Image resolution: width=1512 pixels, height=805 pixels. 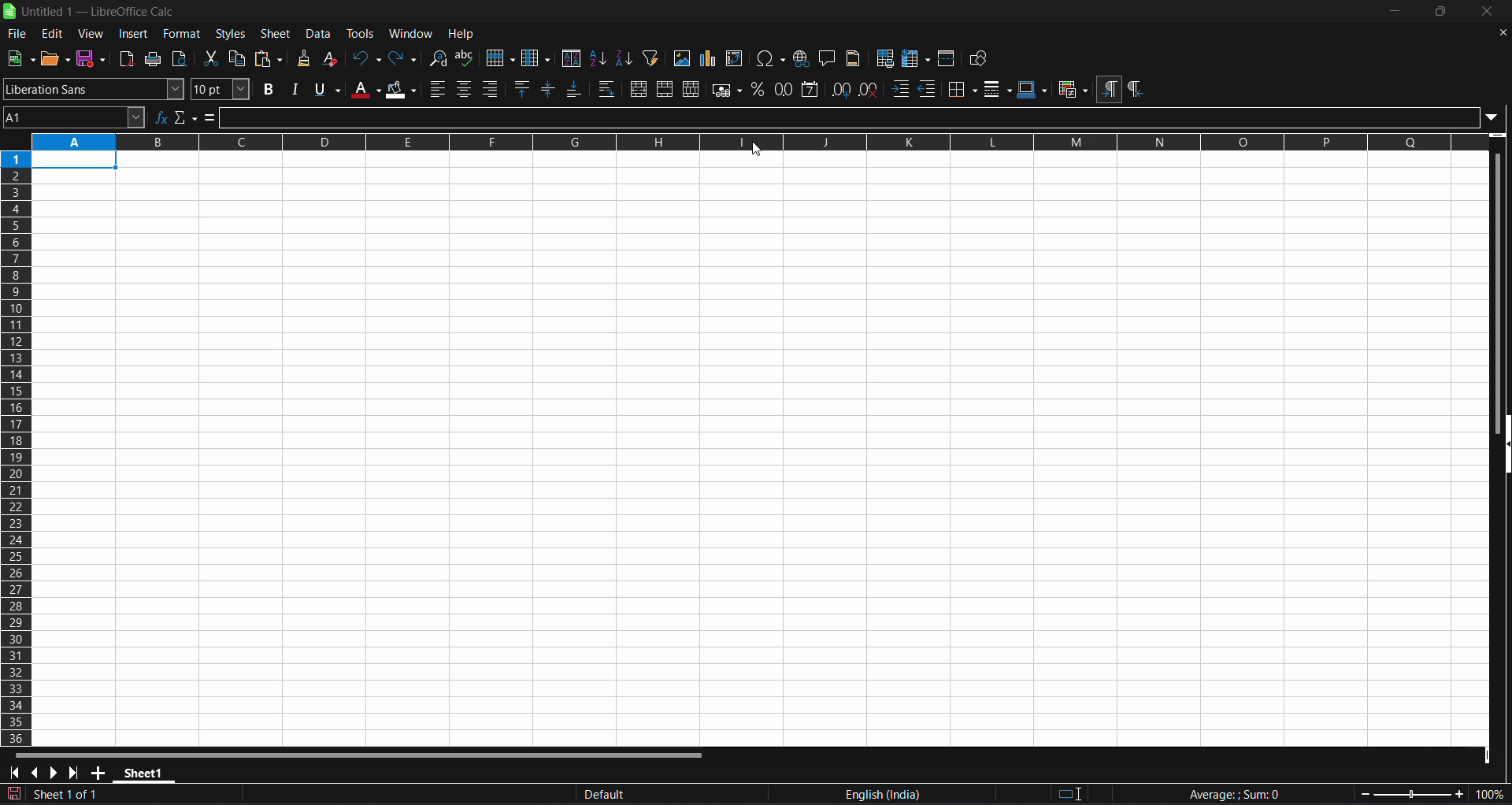 I want to click on sort, so click(x=570, y=57).